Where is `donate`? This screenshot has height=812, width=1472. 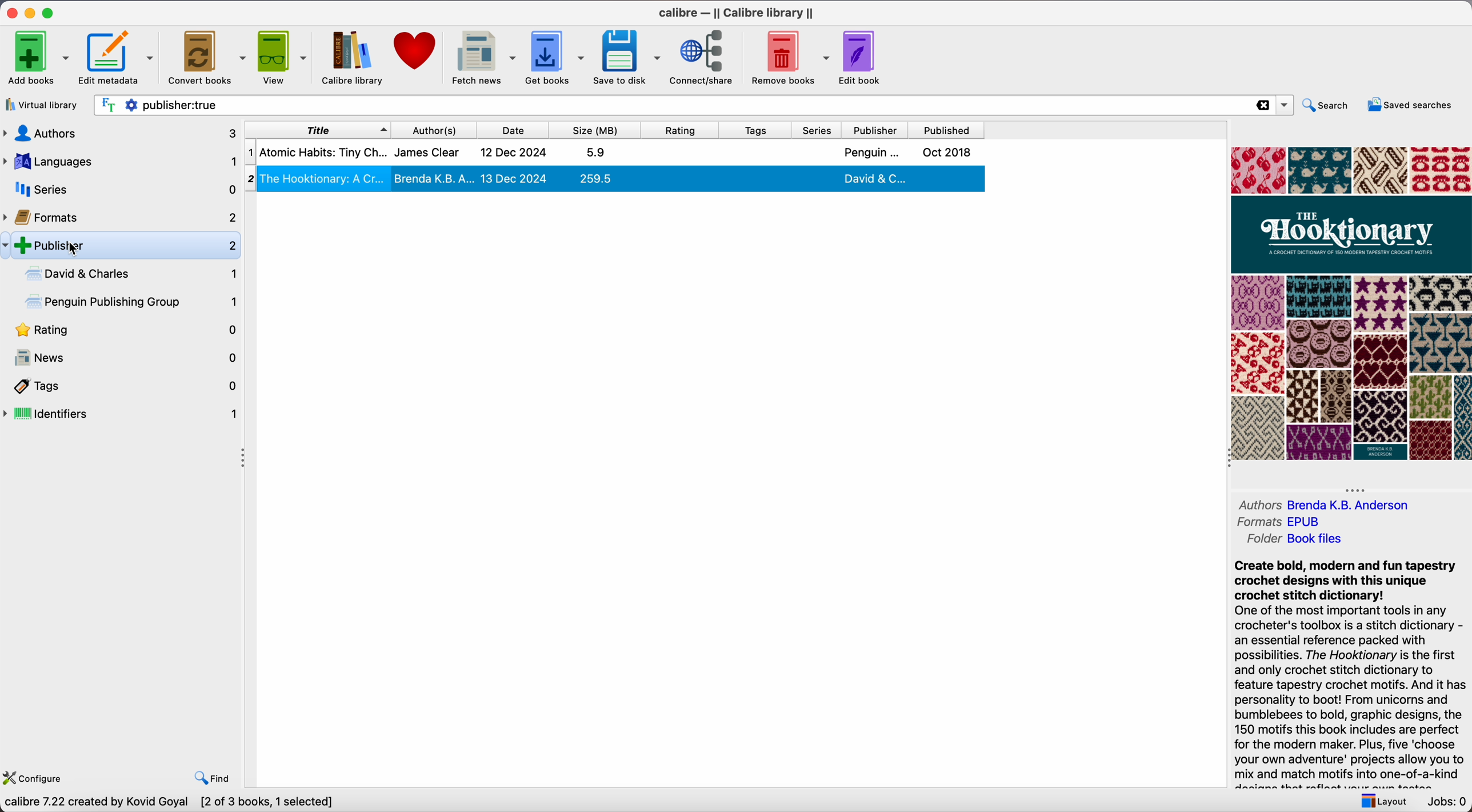 donate is located at coordinates (416, 52).